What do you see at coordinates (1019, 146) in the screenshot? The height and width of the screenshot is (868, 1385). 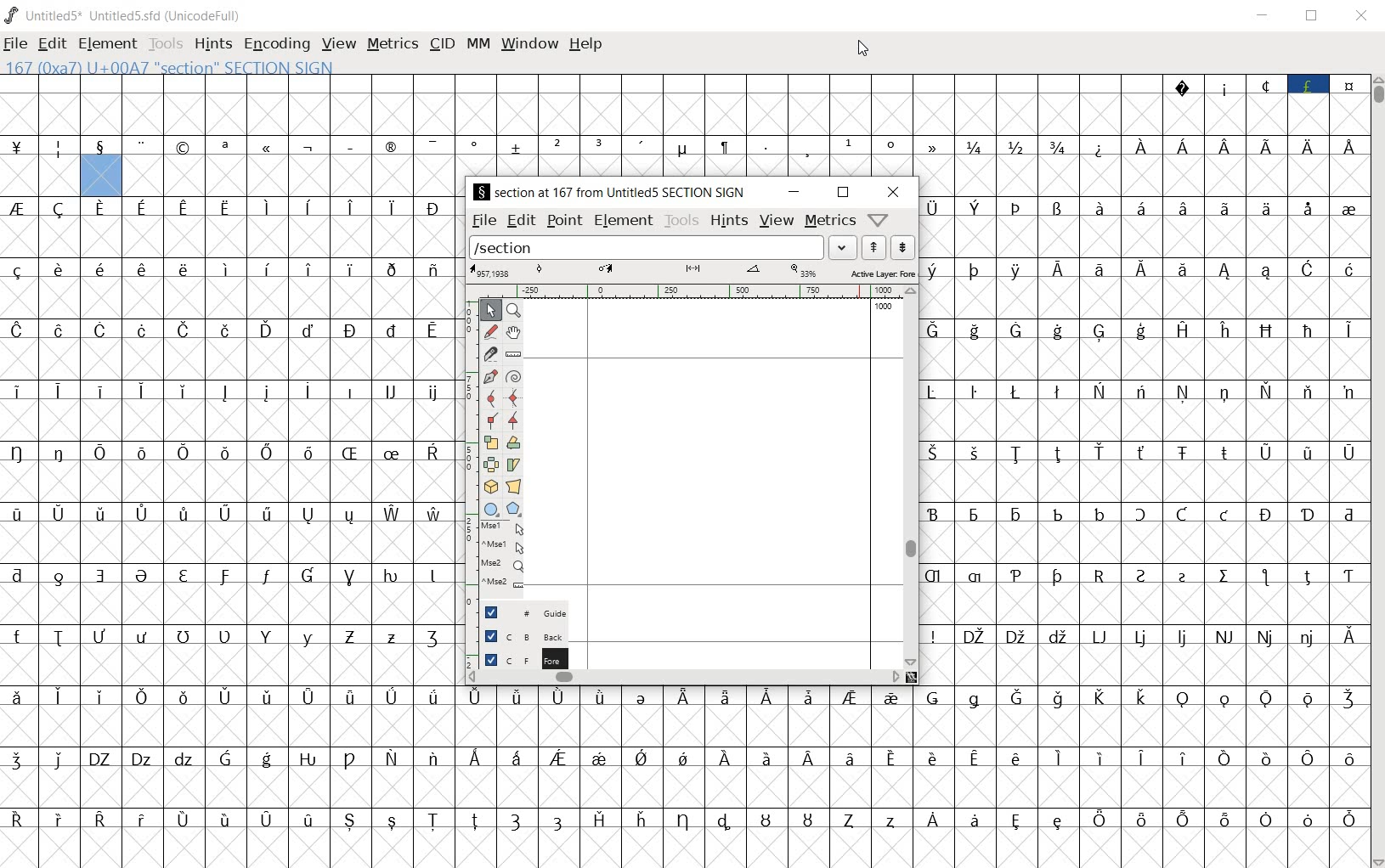 I see `fractions` at bounding box center [1019, 146].